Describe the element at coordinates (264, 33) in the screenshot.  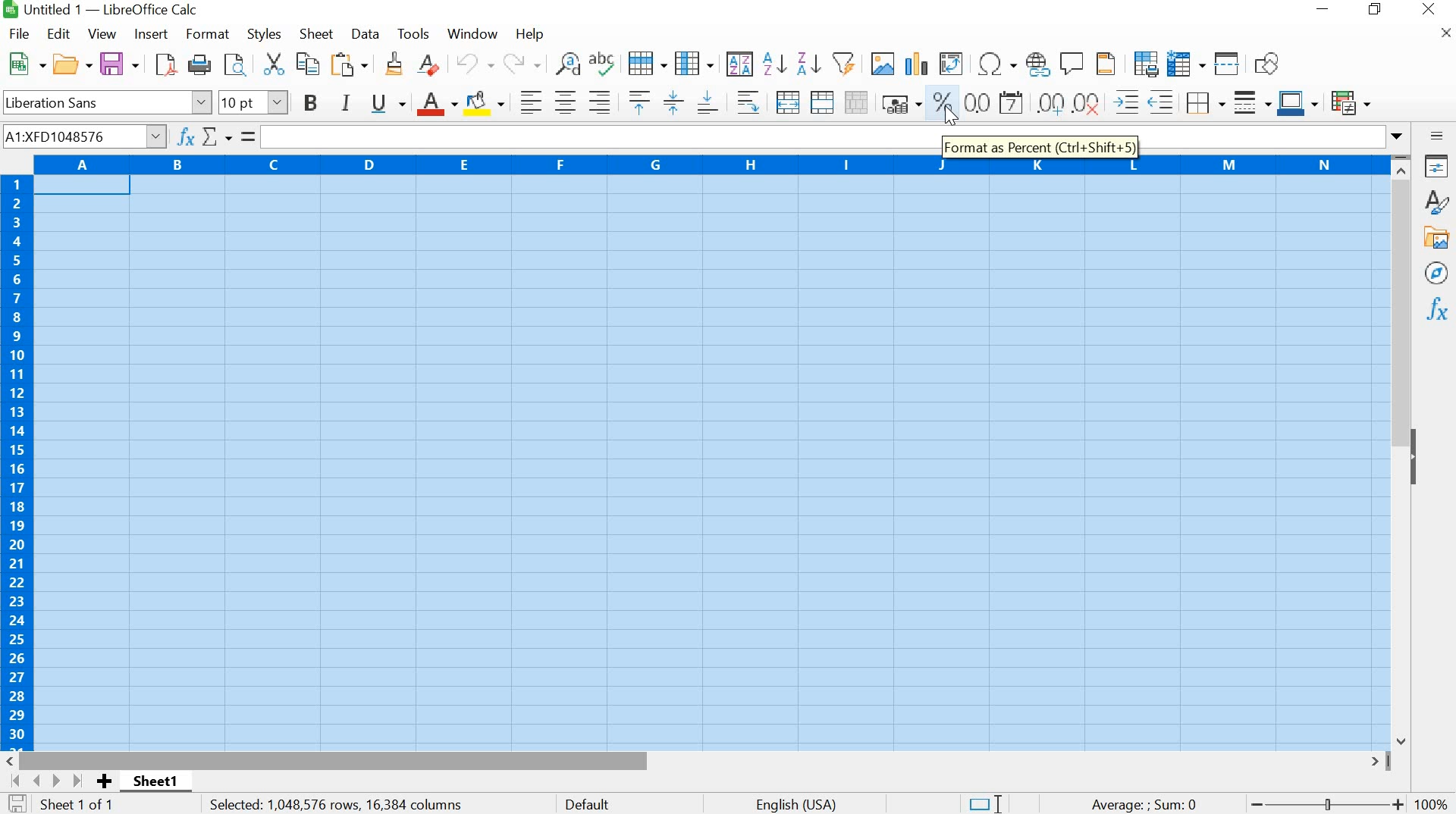
I see `STYLES` at that location.